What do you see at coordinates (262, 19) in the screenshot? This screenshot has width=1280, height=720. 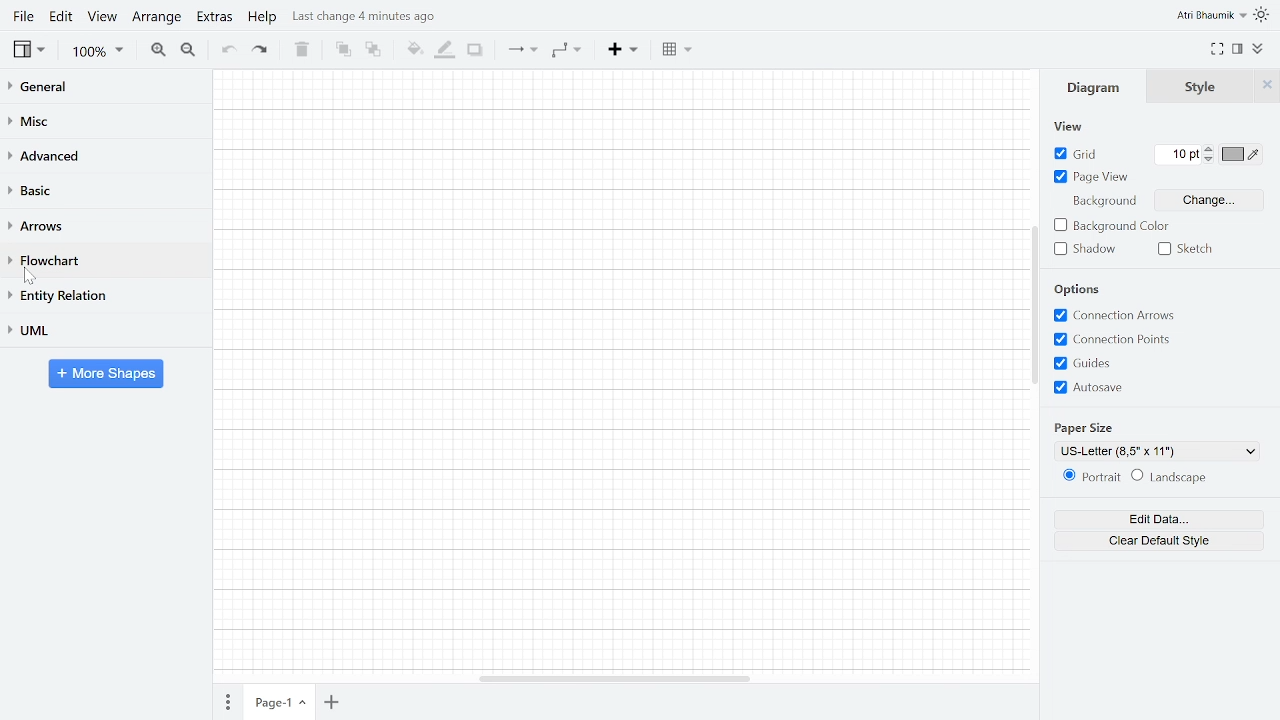 I see `Help` at bounding box center [262, 19].